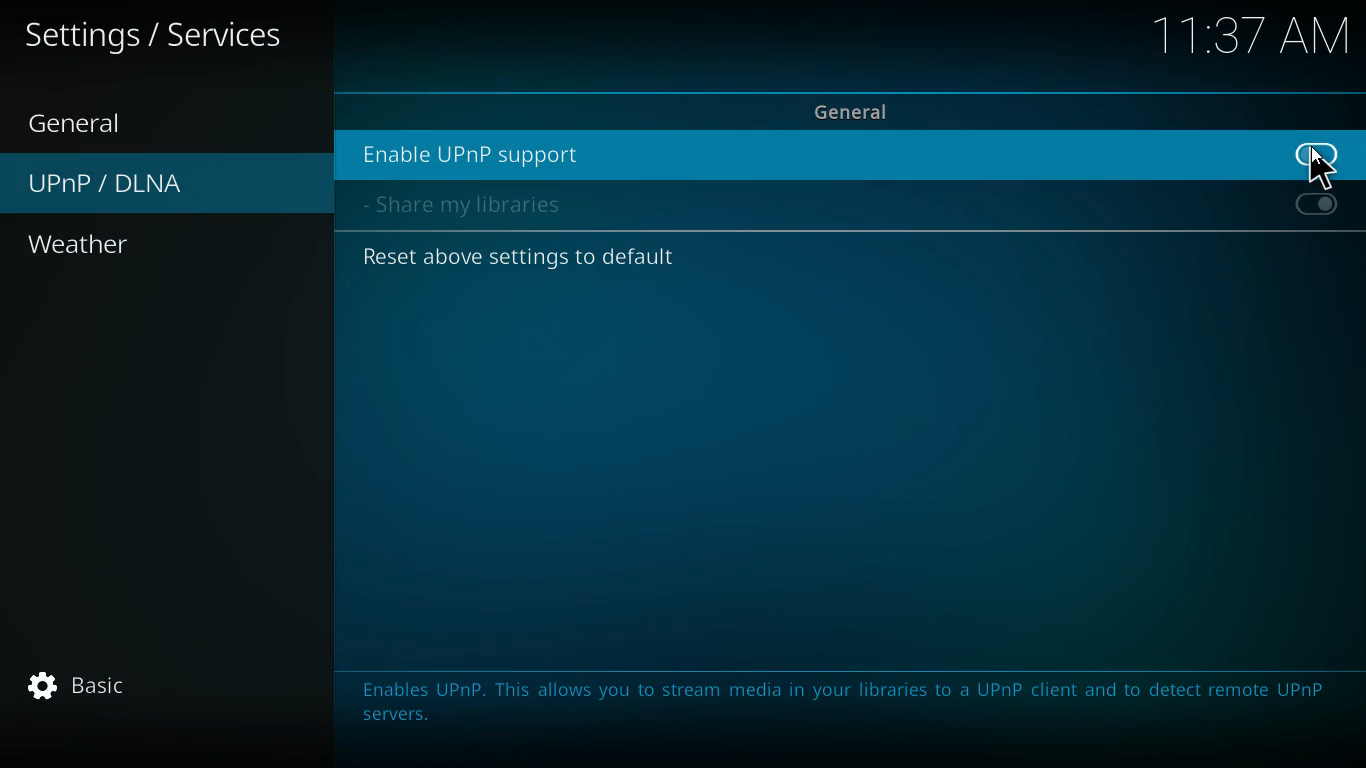 The height and width of the screenshot is (768, 1366). I want to click on enable upnp support, so click(807, 155).